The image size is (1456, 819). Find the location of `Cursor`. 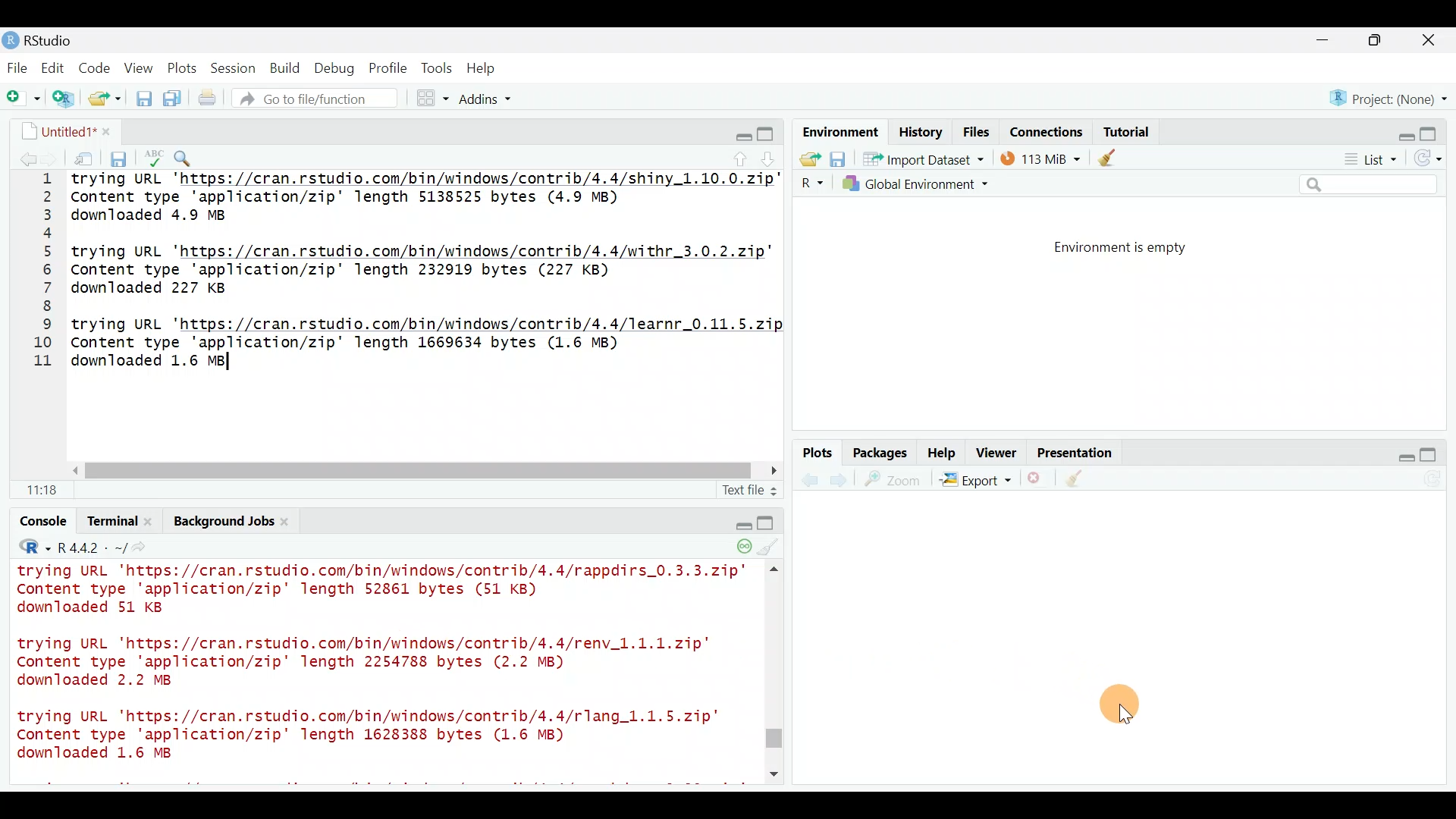

Cursor is located at coordinates (1125, 705).